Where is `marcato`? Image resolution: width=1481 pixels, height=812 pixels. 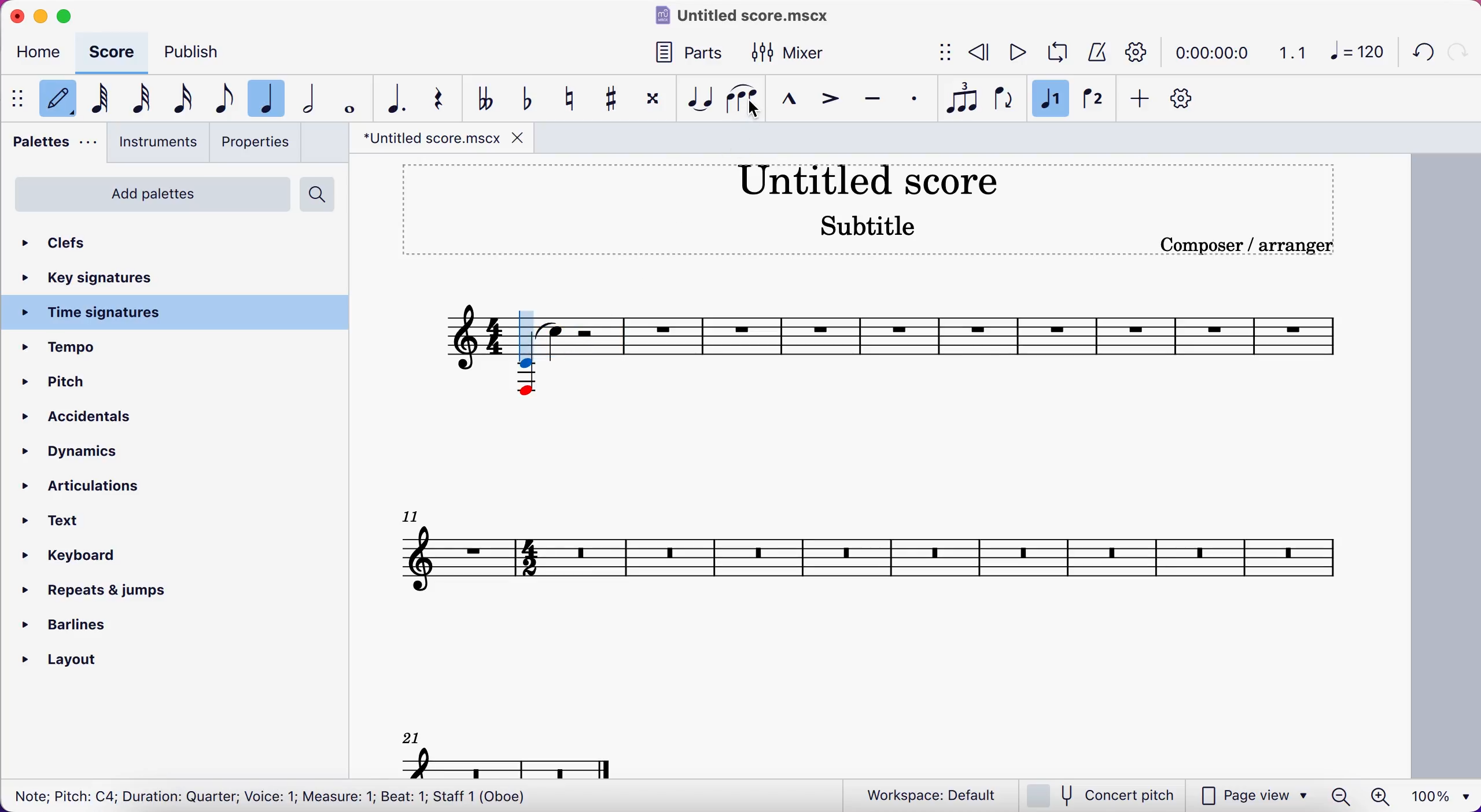
marcato is located at coordinates (787, 101).